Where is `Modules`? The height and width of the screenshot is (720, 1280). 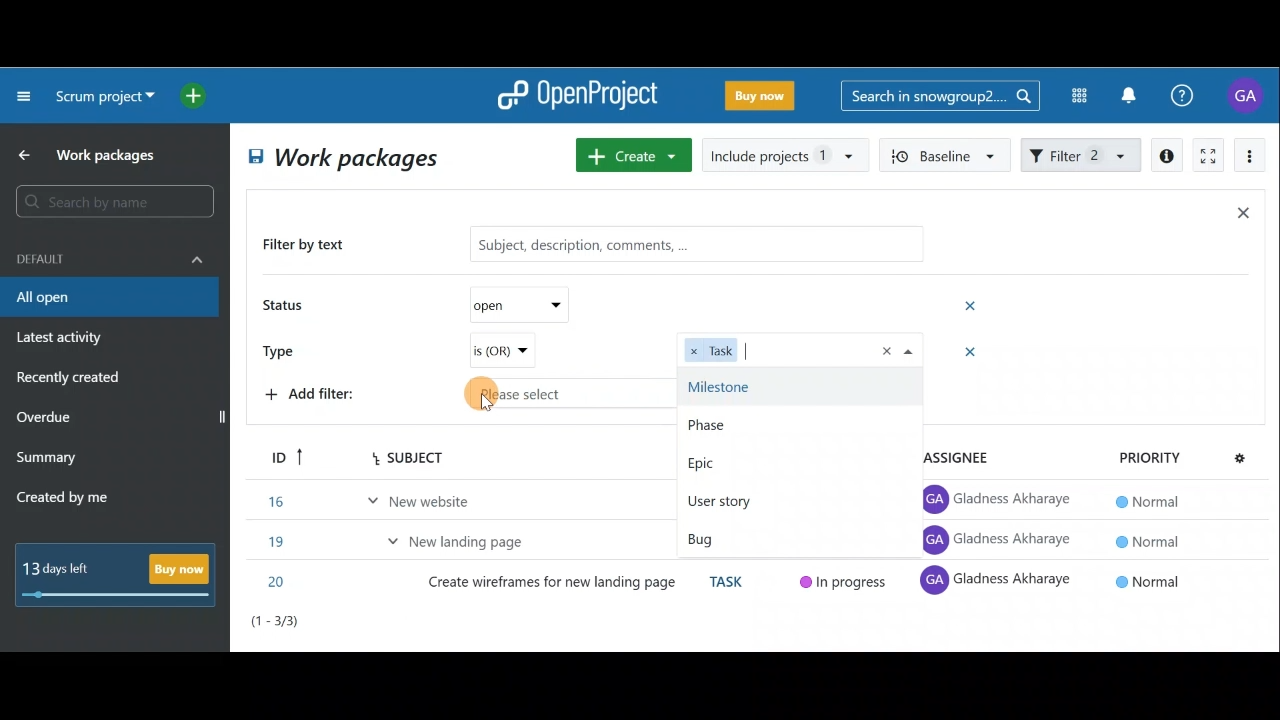 Modules is located at coordinates (1073, 96).